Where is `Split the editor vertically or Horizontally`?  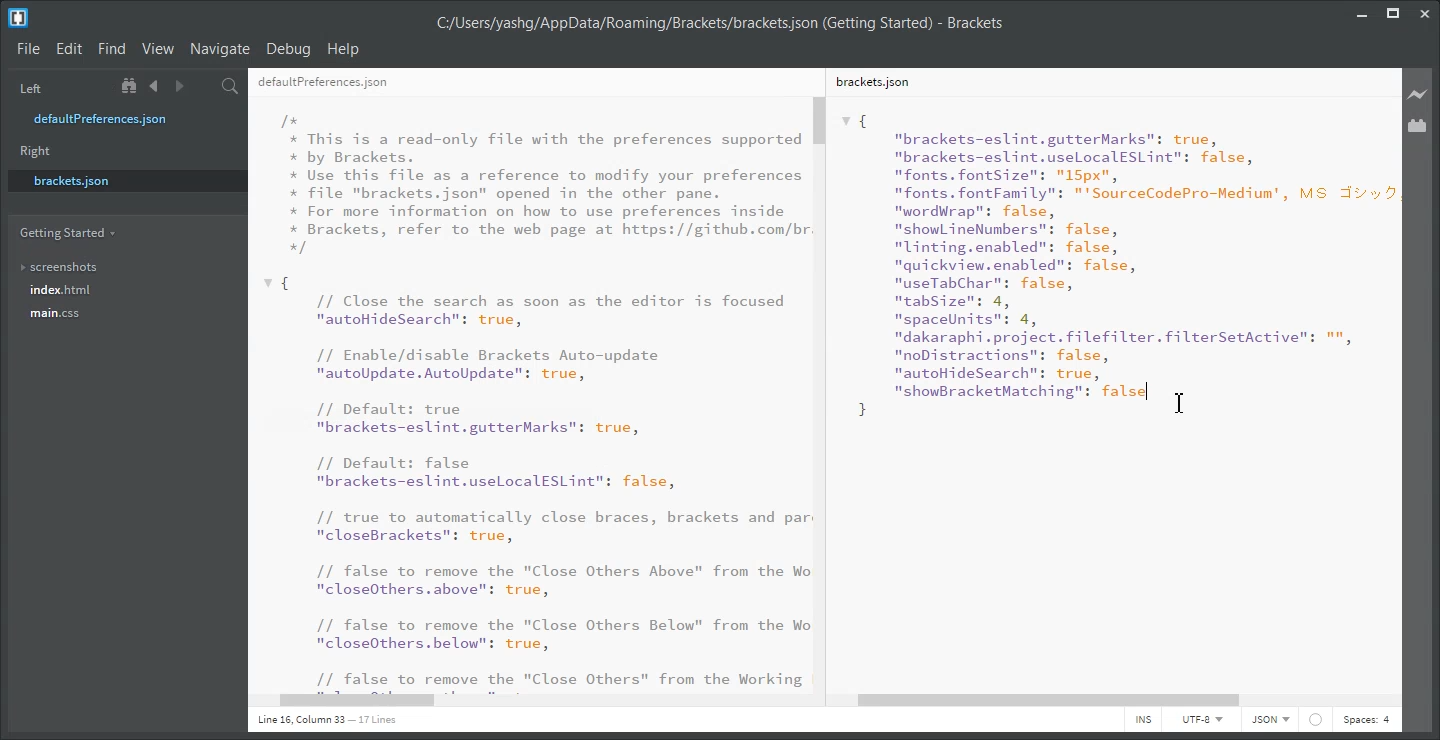 Split the editor vertically or Horizontally is located at coordinates (204, 86).